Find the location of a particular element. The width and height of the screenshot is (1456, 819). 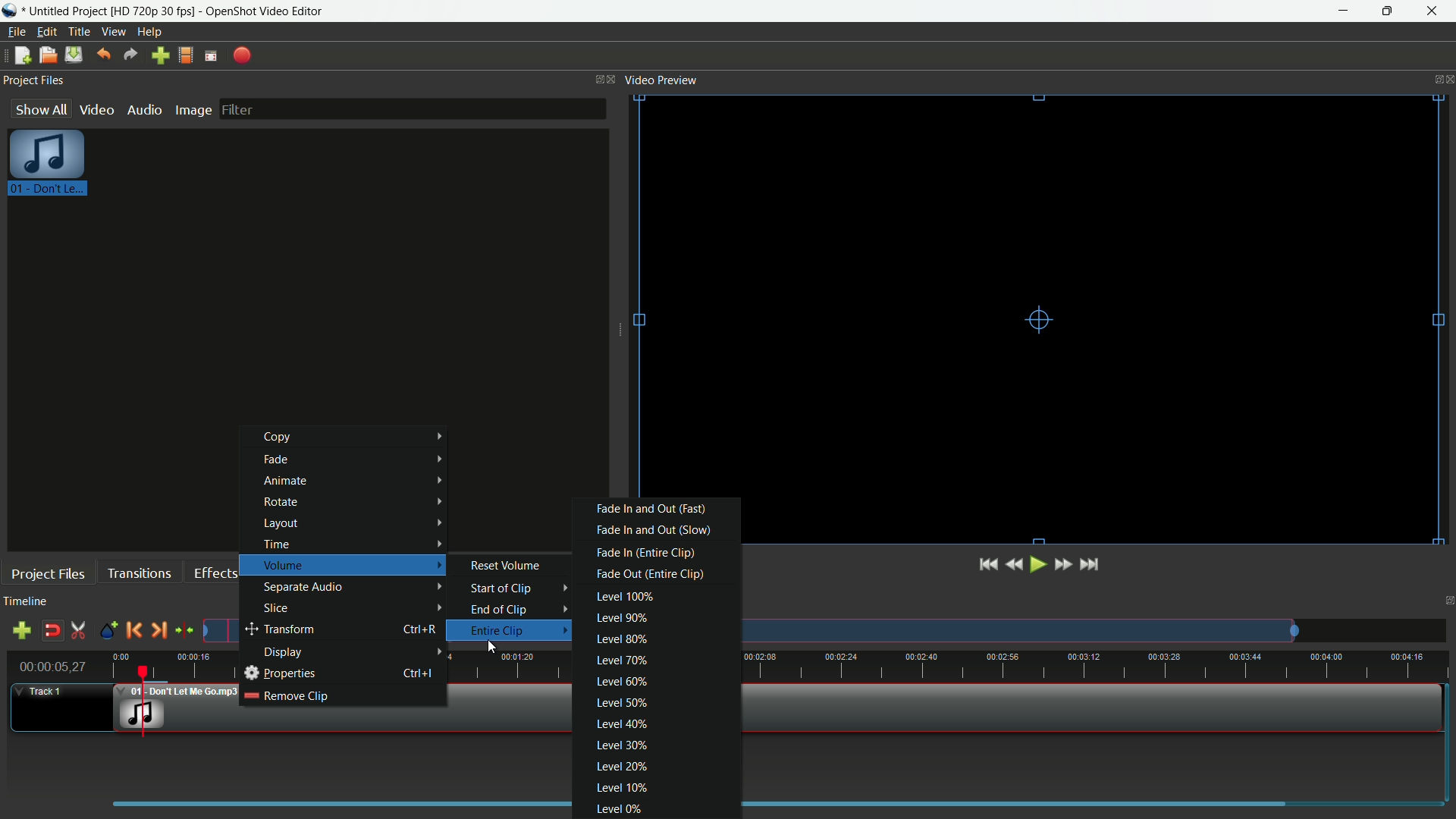

project files is located at coordinates (34, 81).